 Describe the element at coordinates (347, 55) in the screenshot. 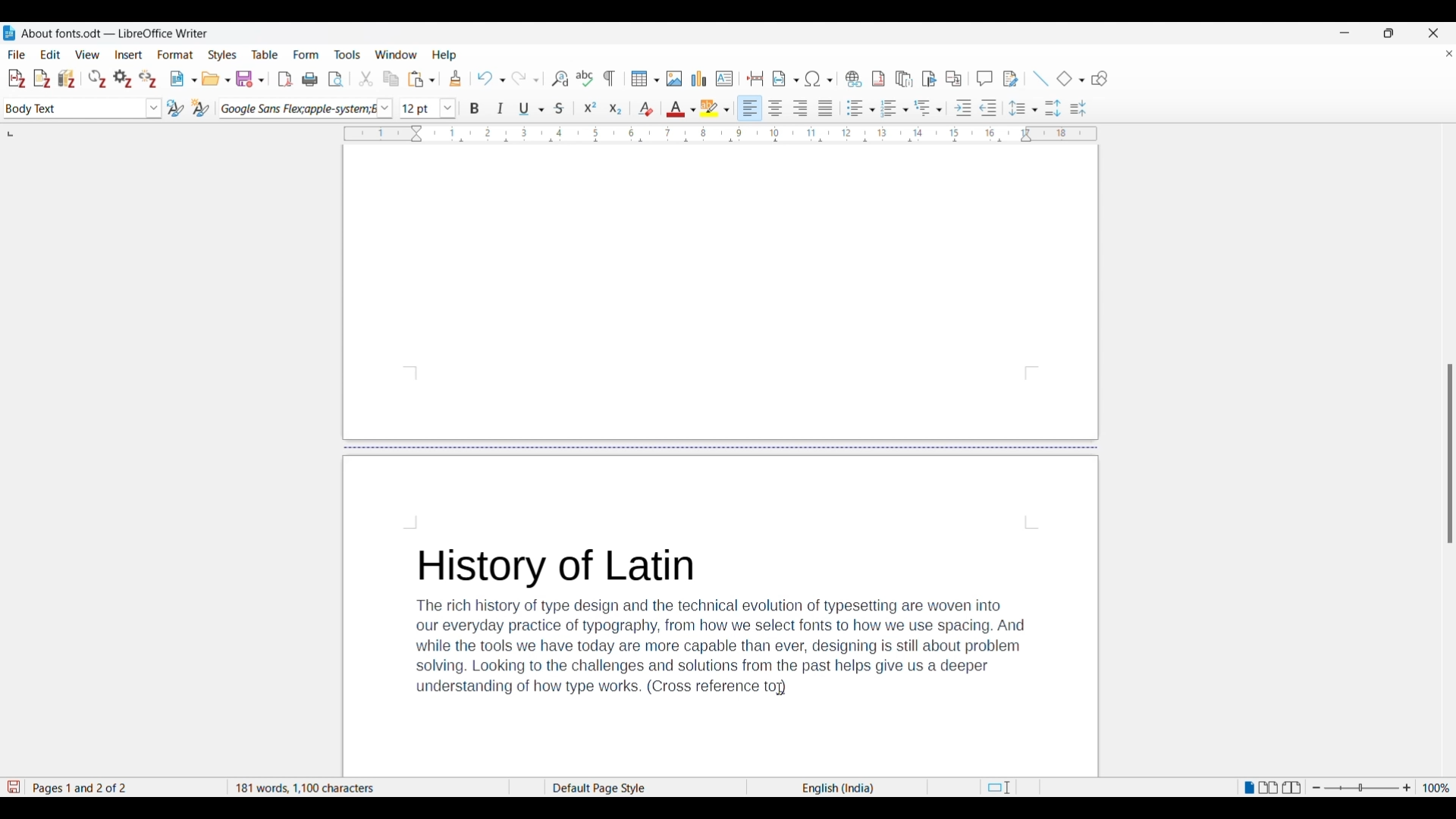

I see `Tools menu` at that location.